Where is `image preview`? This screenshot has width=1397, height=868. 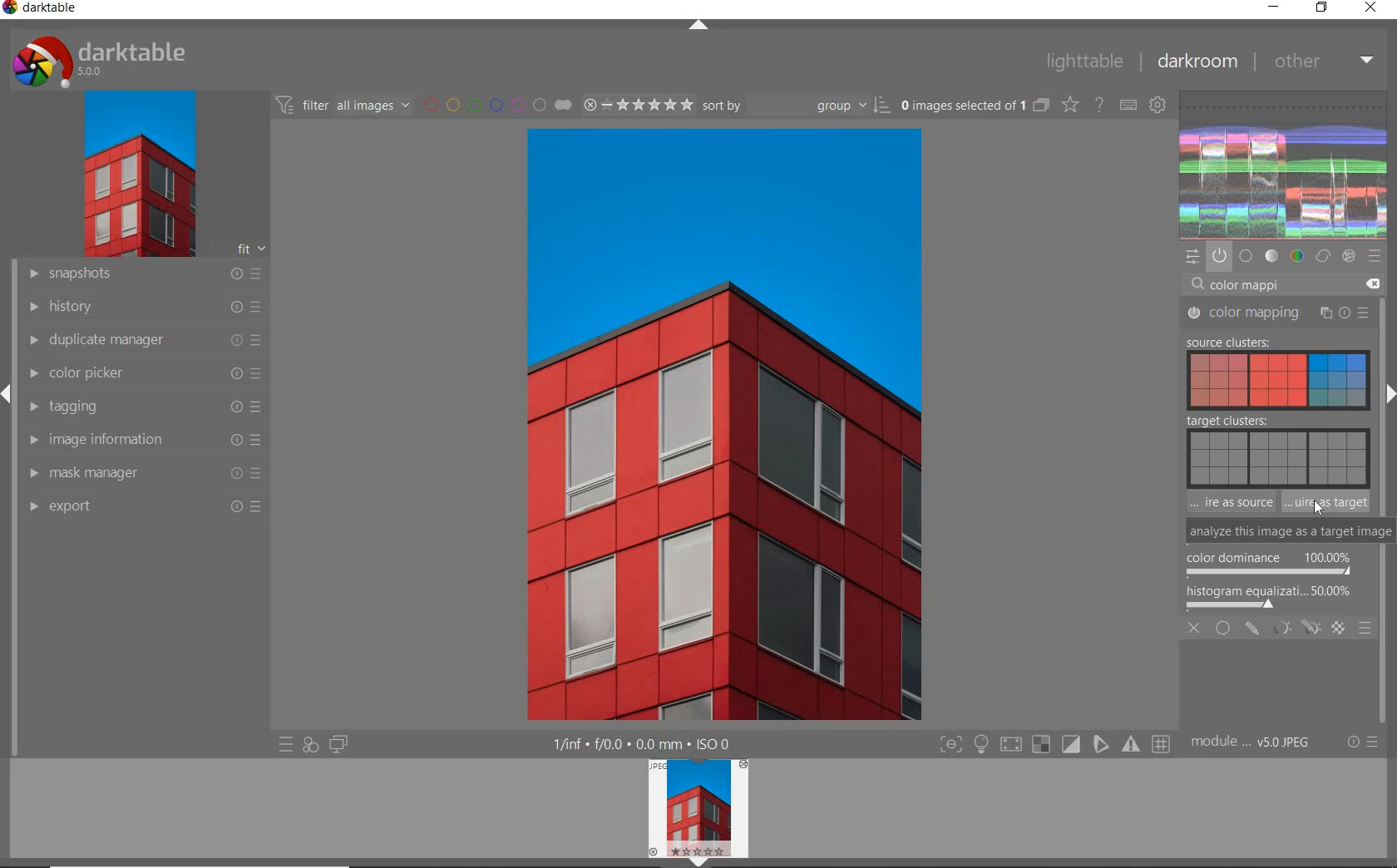
image preview is located at coordinates (697, 813).